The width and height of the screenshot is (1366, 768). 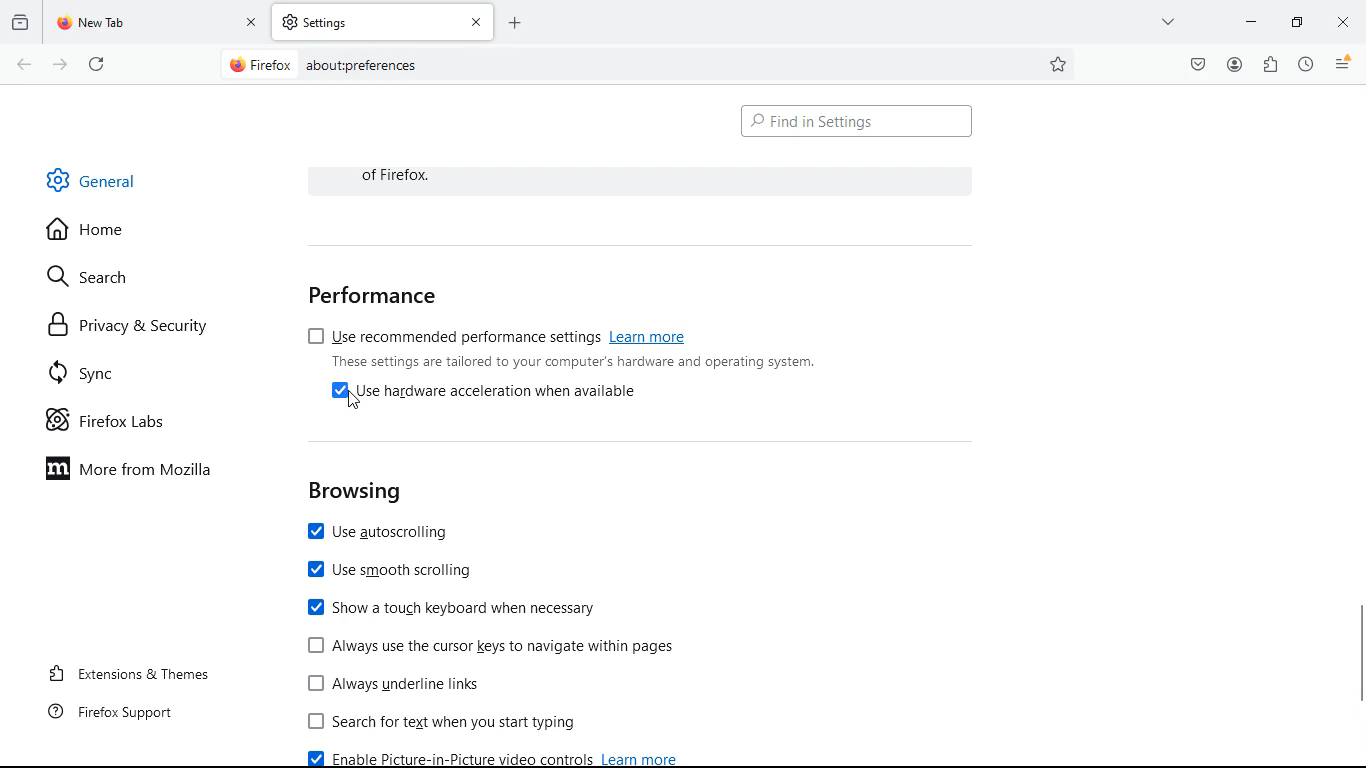 I want to click on Cursor, so click(x=354, y=399).